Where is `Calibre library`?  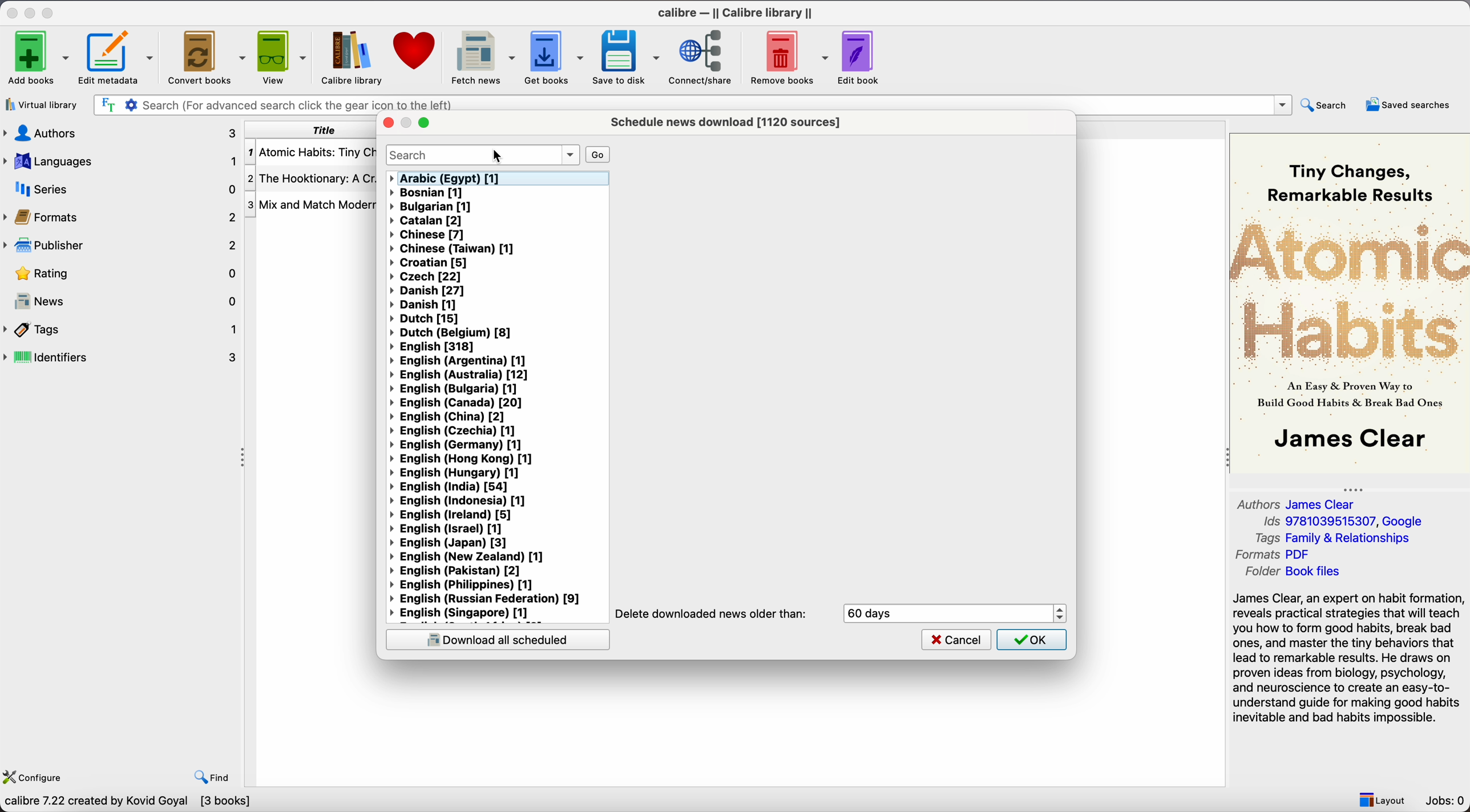
Calibre library is located at coordinates (351, 57).